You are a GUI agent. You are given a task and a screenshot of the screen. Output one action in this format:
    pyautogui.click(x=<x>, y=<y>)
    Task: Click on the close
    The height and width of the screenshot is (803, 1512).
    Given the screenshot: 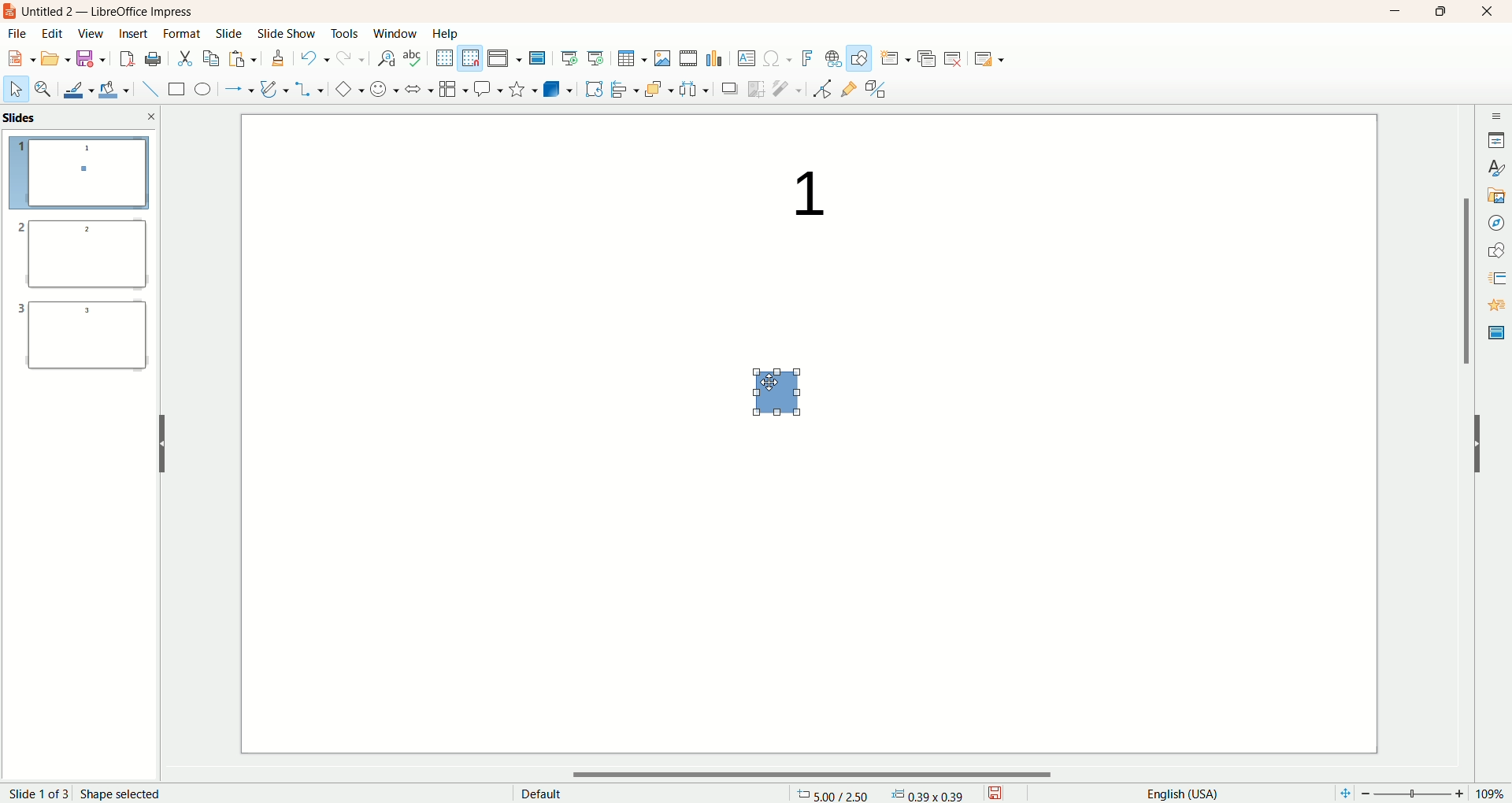 What is the action you would take?
    pyautogui.click(x=152, y=116)
    